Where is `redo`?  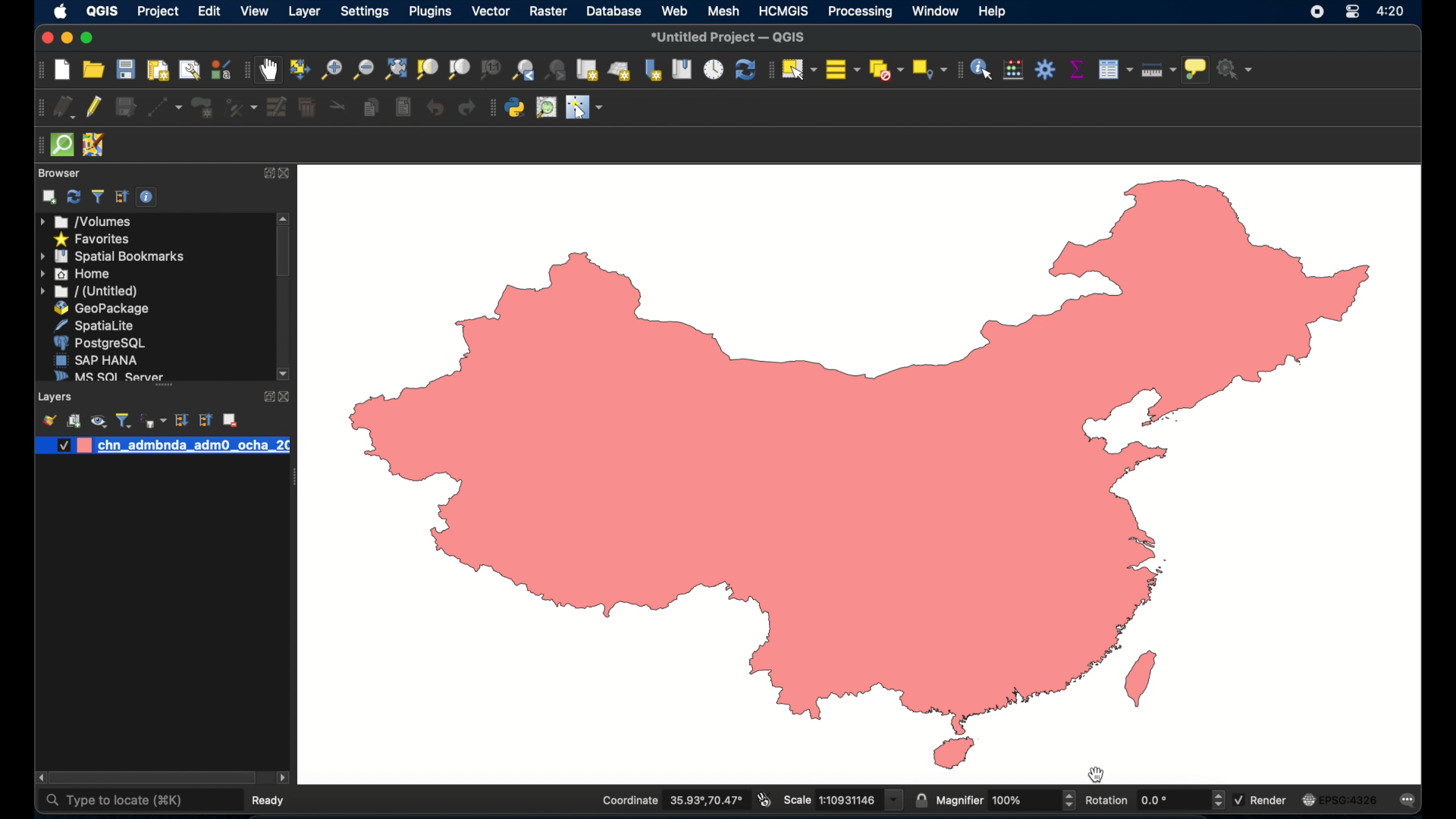
redo is located at coordinates (463, 107).